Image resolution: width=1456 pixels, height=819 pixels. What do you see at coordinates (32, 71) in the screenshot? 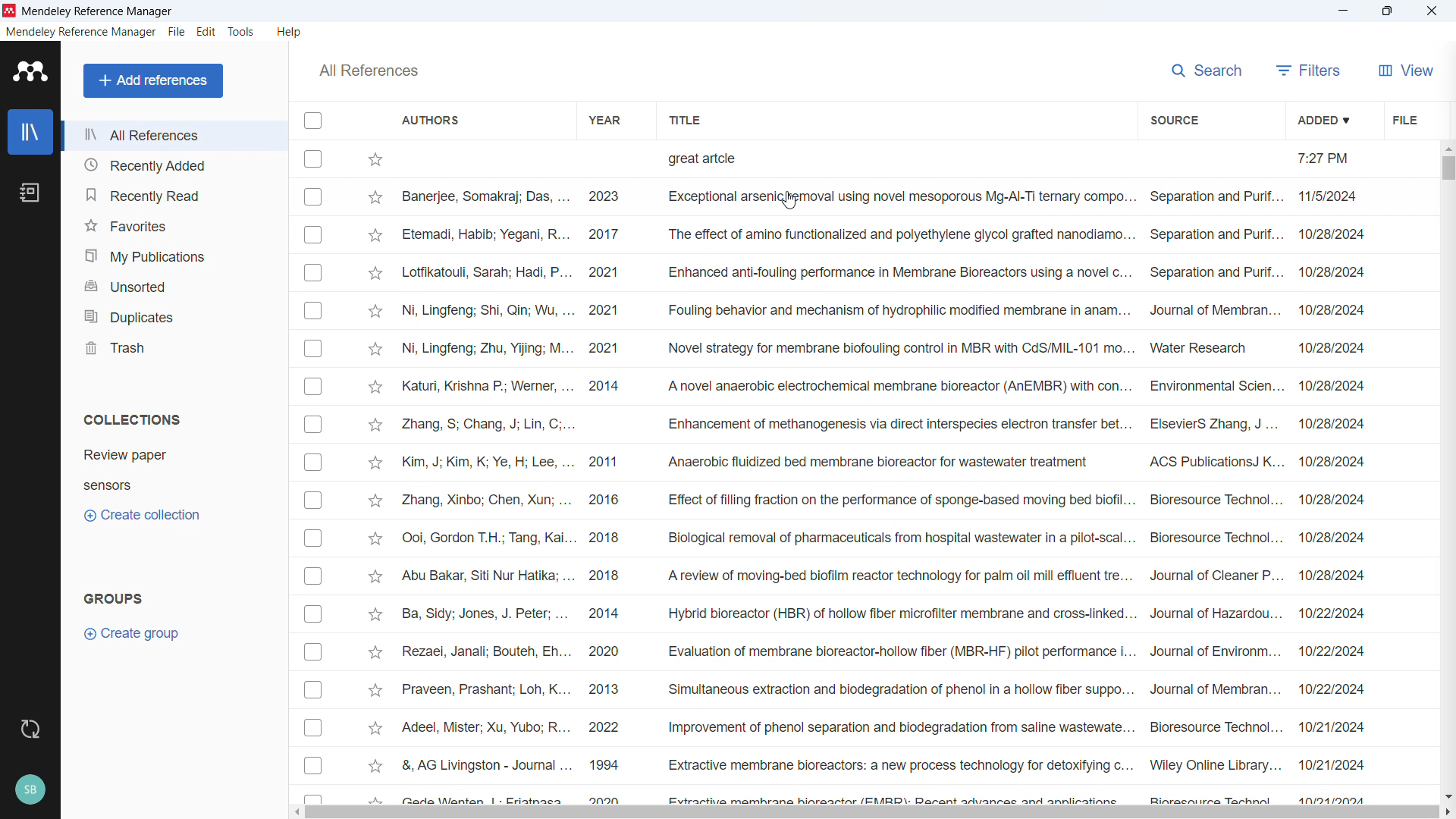
I see `logo` at bounding box center [32, 71].